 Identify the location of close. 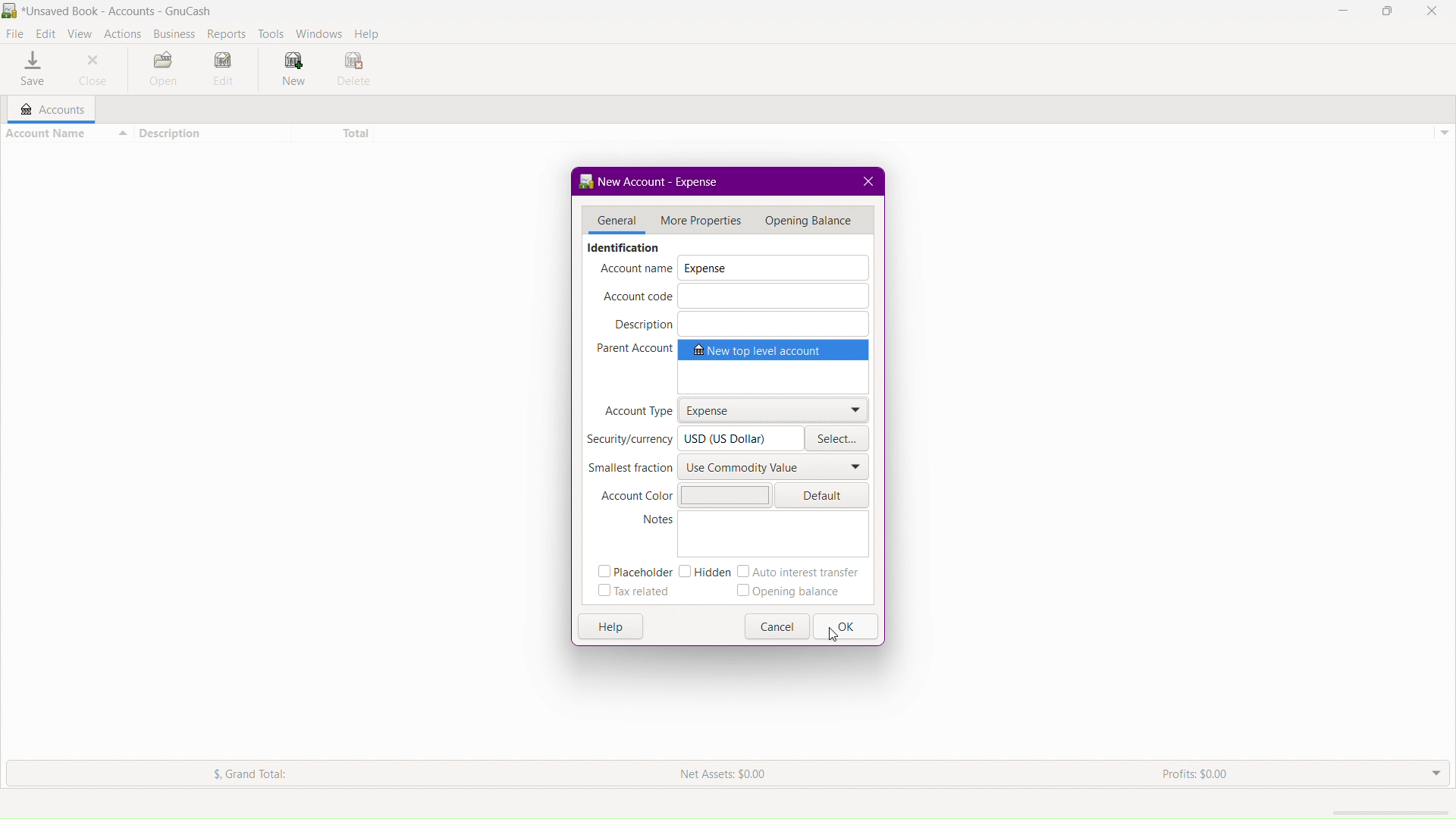
(871, 179).